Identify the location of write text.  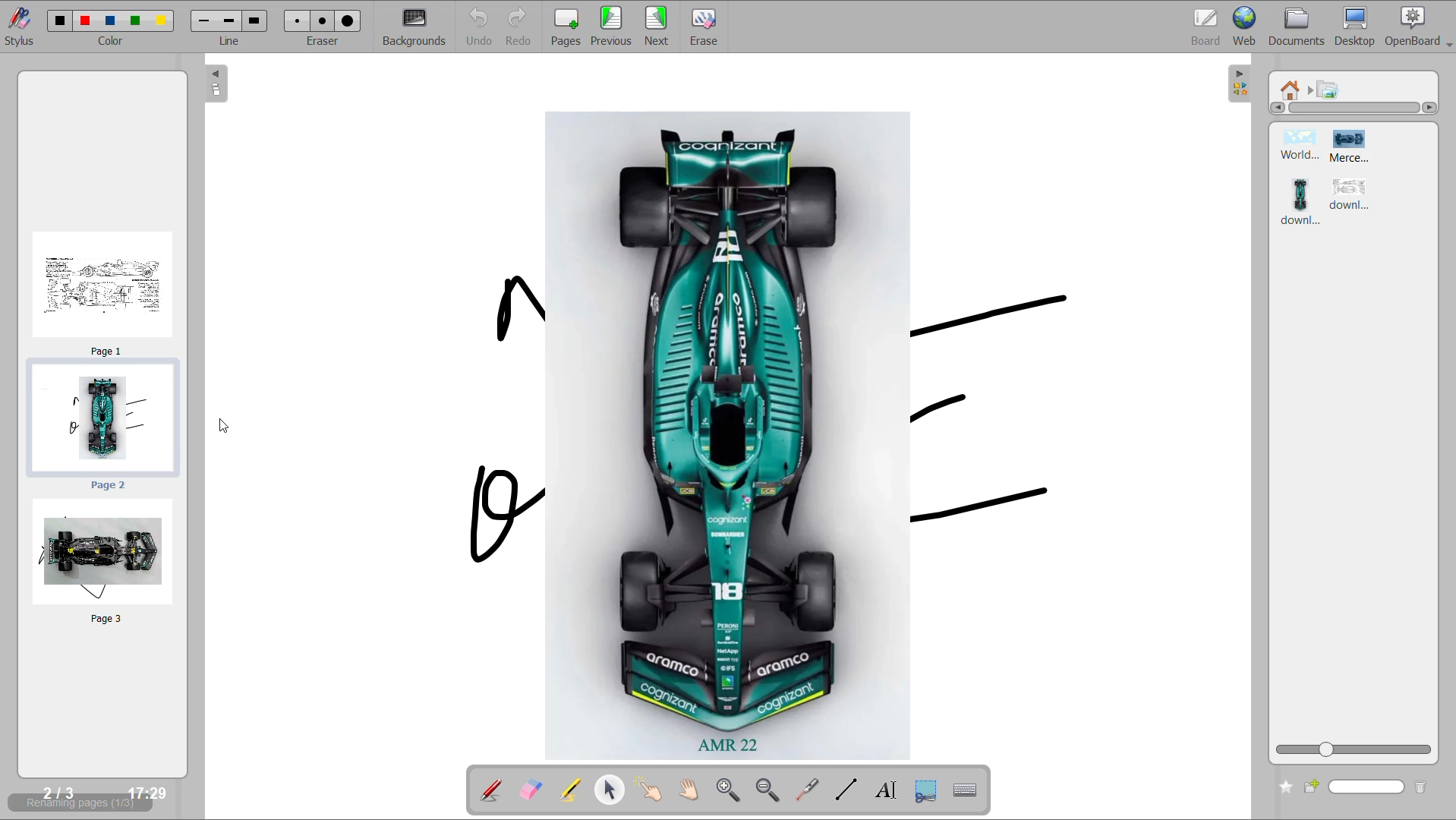
(887, 791).